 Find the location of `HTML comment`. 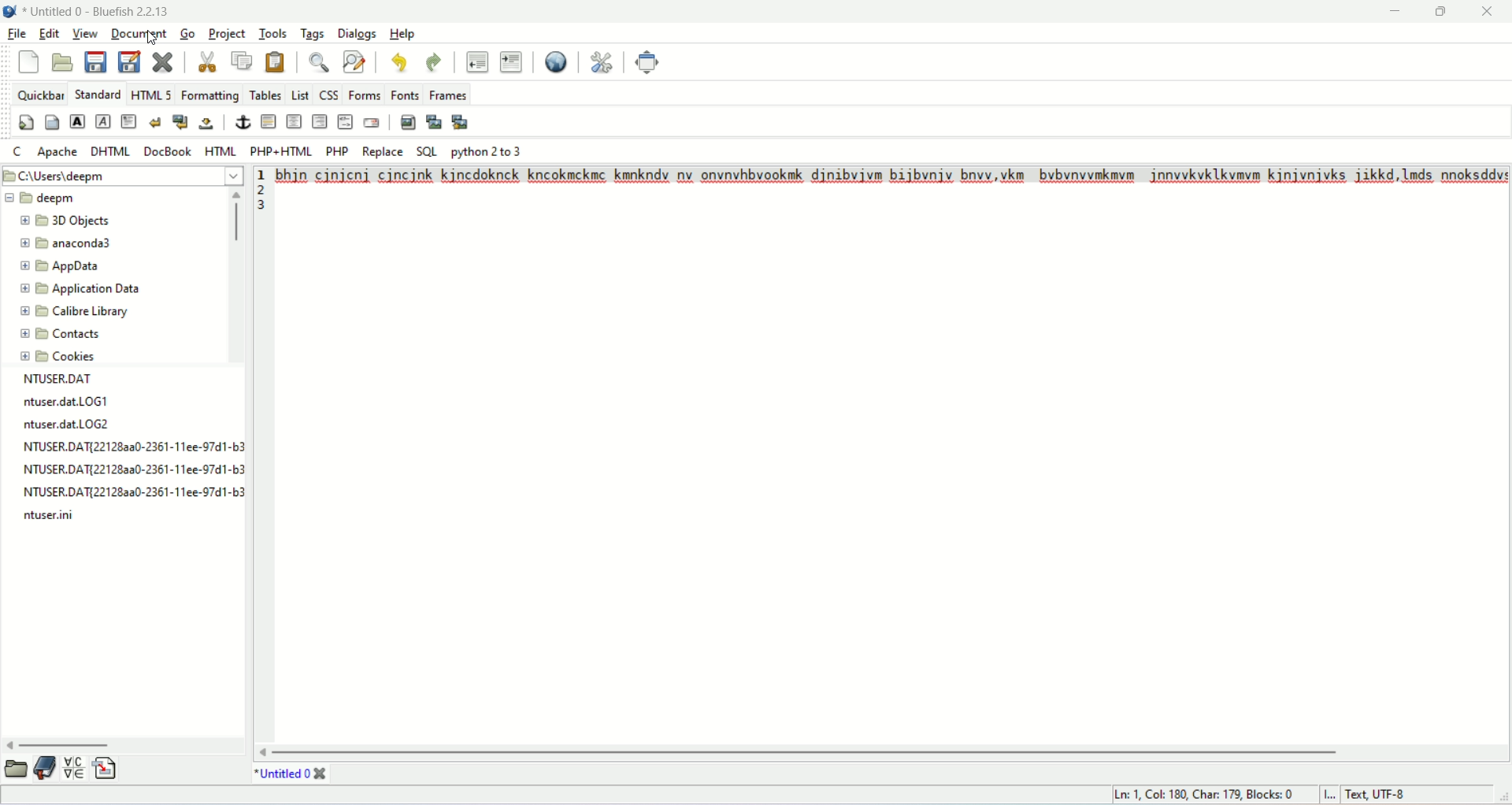

HTML comment is located at coordinates (346, 121).